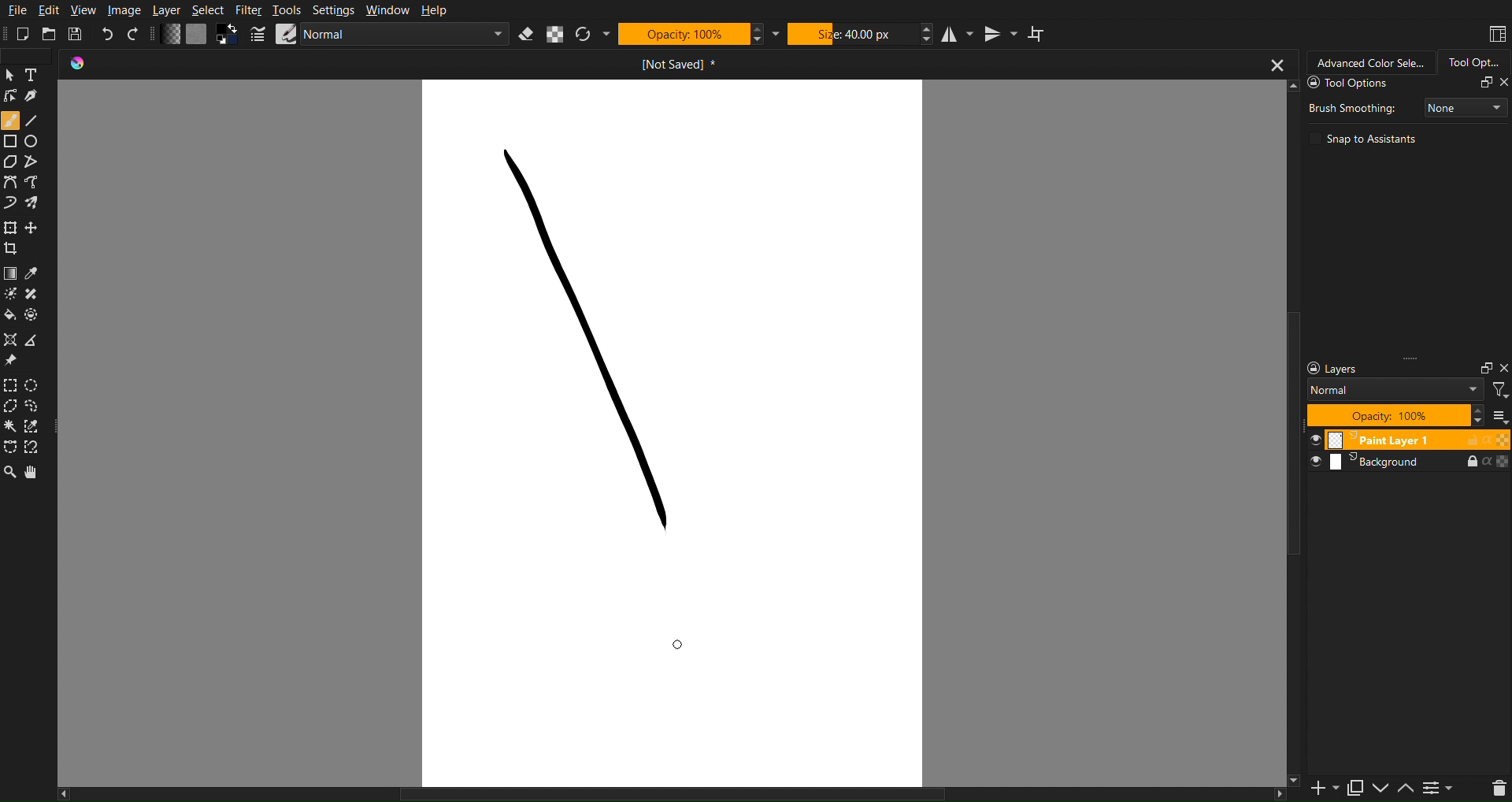 The height and width of the screenshot is (802, 1512). I want to click on Advanced Color Selector, so click(1369, 62).